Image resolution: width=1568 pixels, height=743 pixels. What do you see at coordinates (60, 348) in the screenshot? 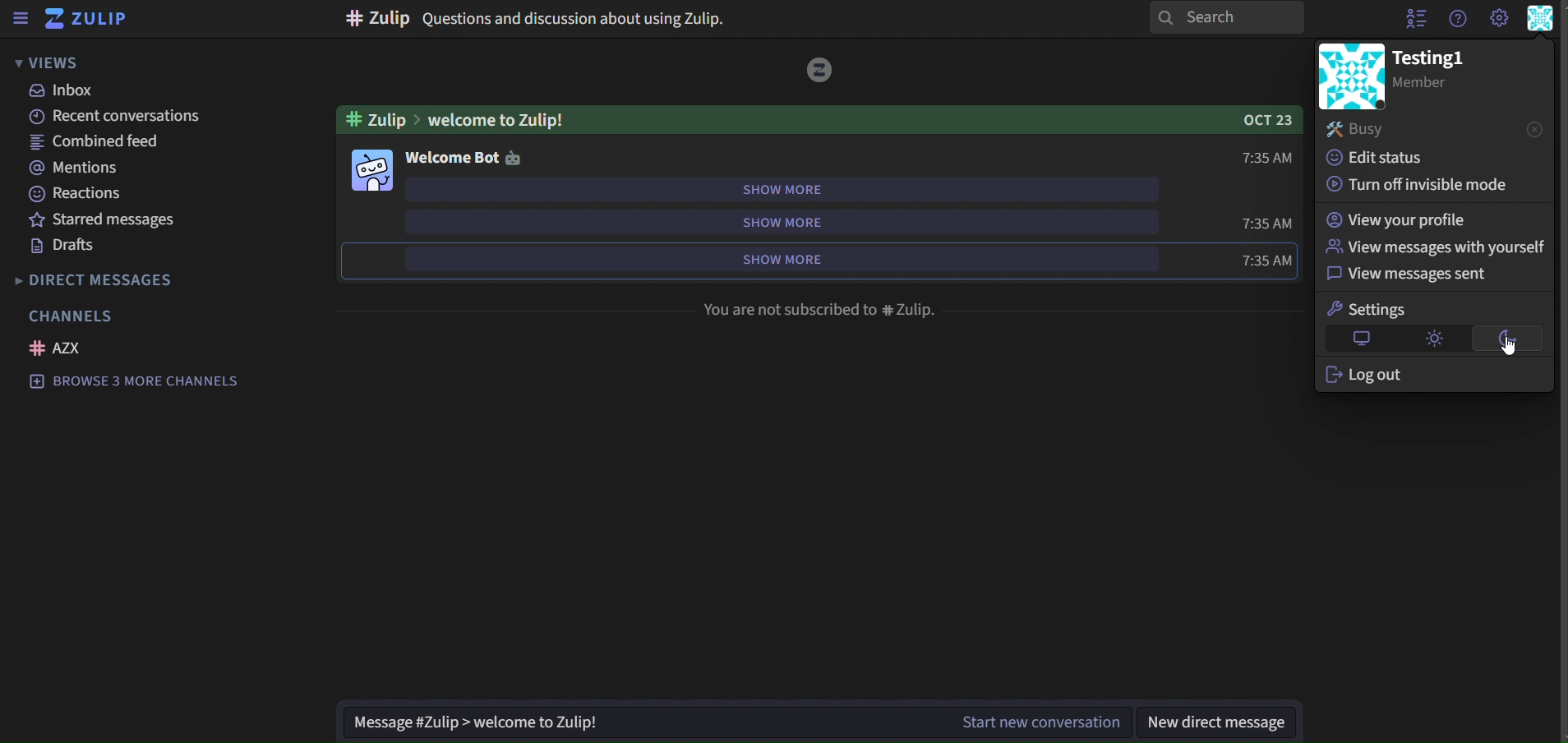
I see `AZX` at bounding box center [60, 348].